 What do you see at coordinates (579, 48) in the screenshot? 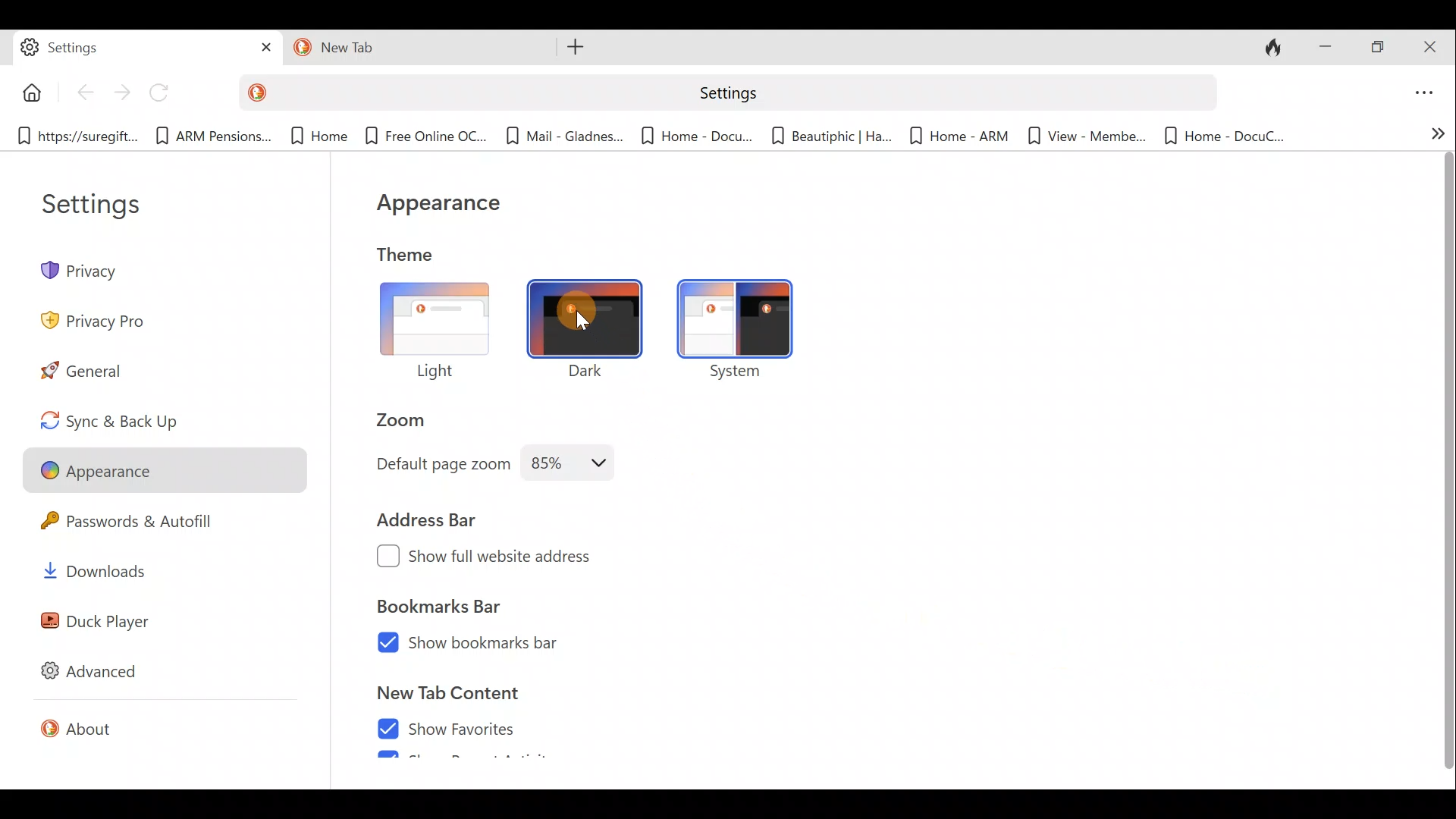
I see `Open new tab` at bounding box center [579, 48].